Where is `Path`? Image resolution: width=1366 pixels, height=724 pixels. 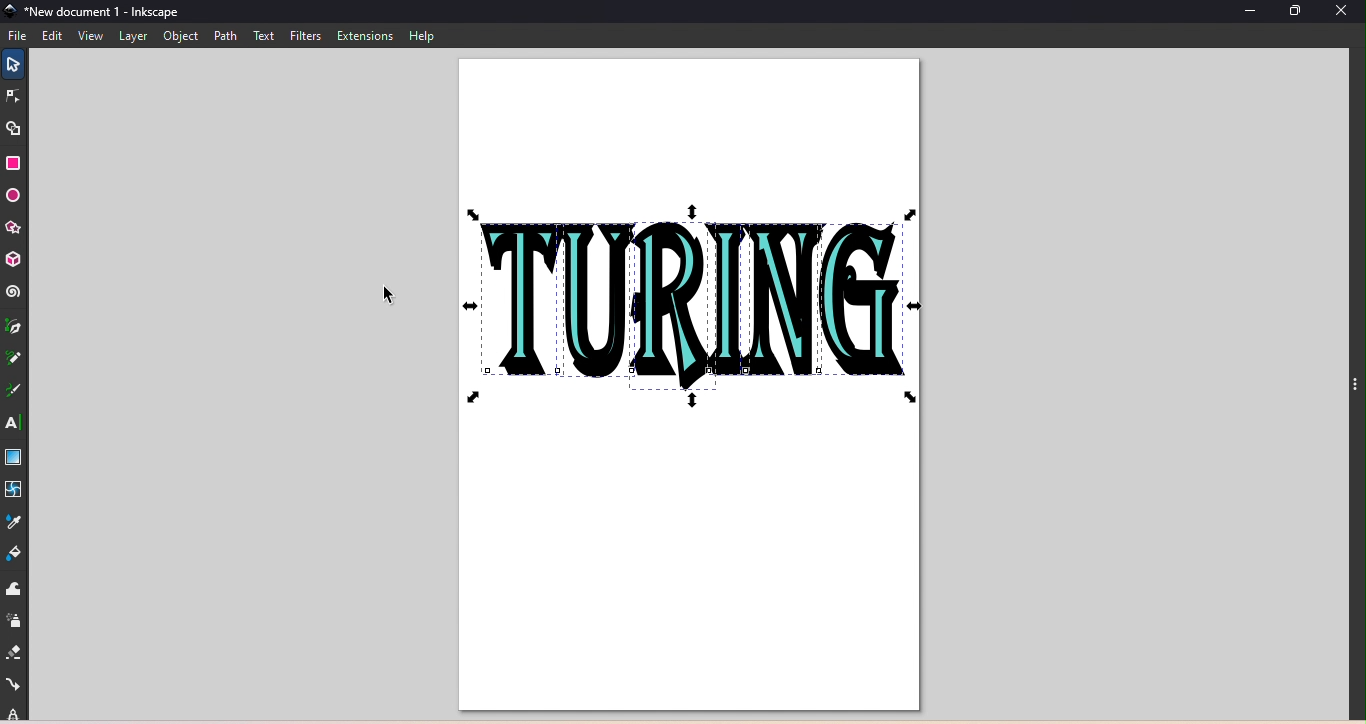
Path is located at coordinates (224, 36).